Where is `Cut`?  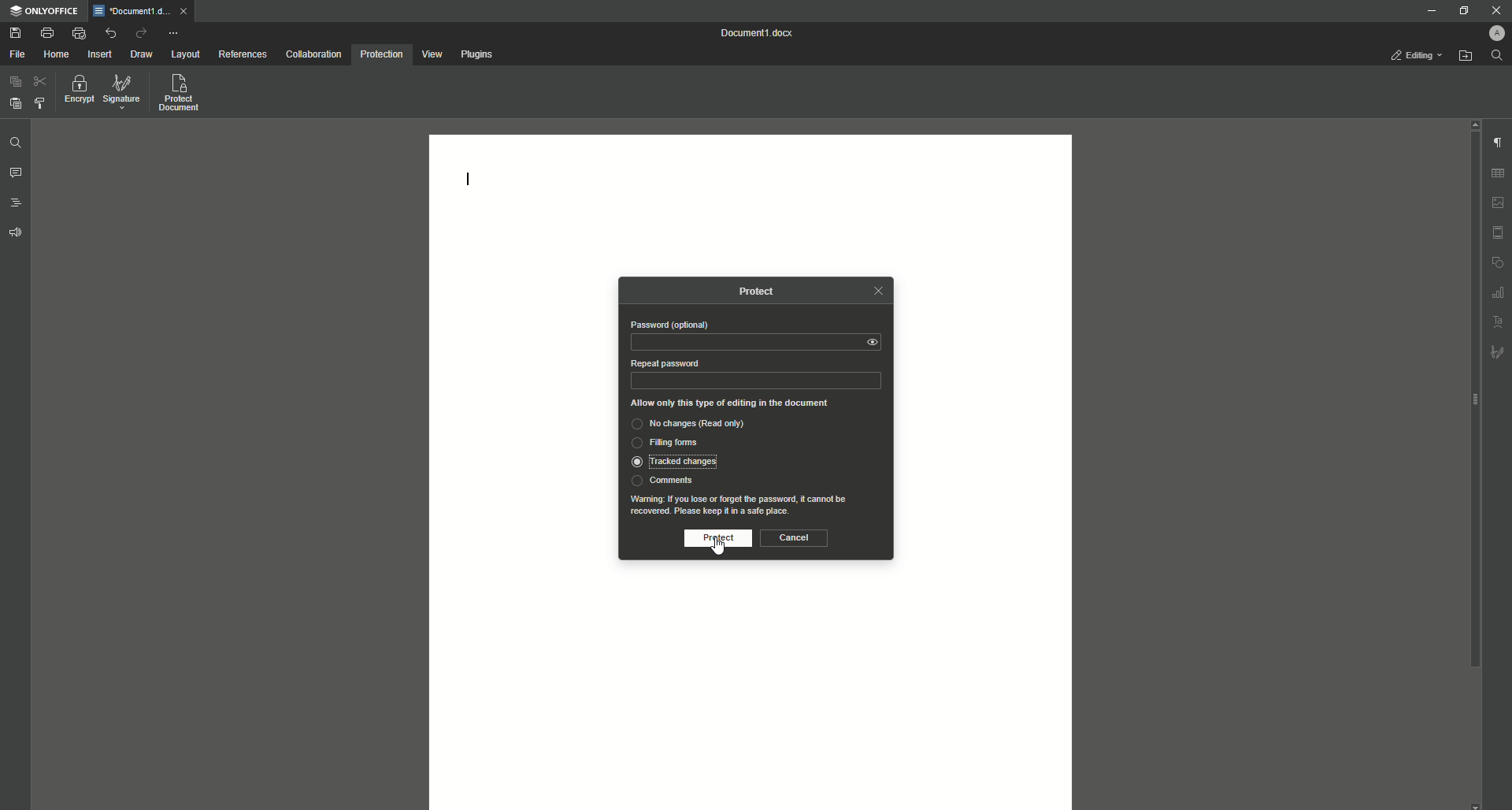
Cut is located at coordinates (42, 84).